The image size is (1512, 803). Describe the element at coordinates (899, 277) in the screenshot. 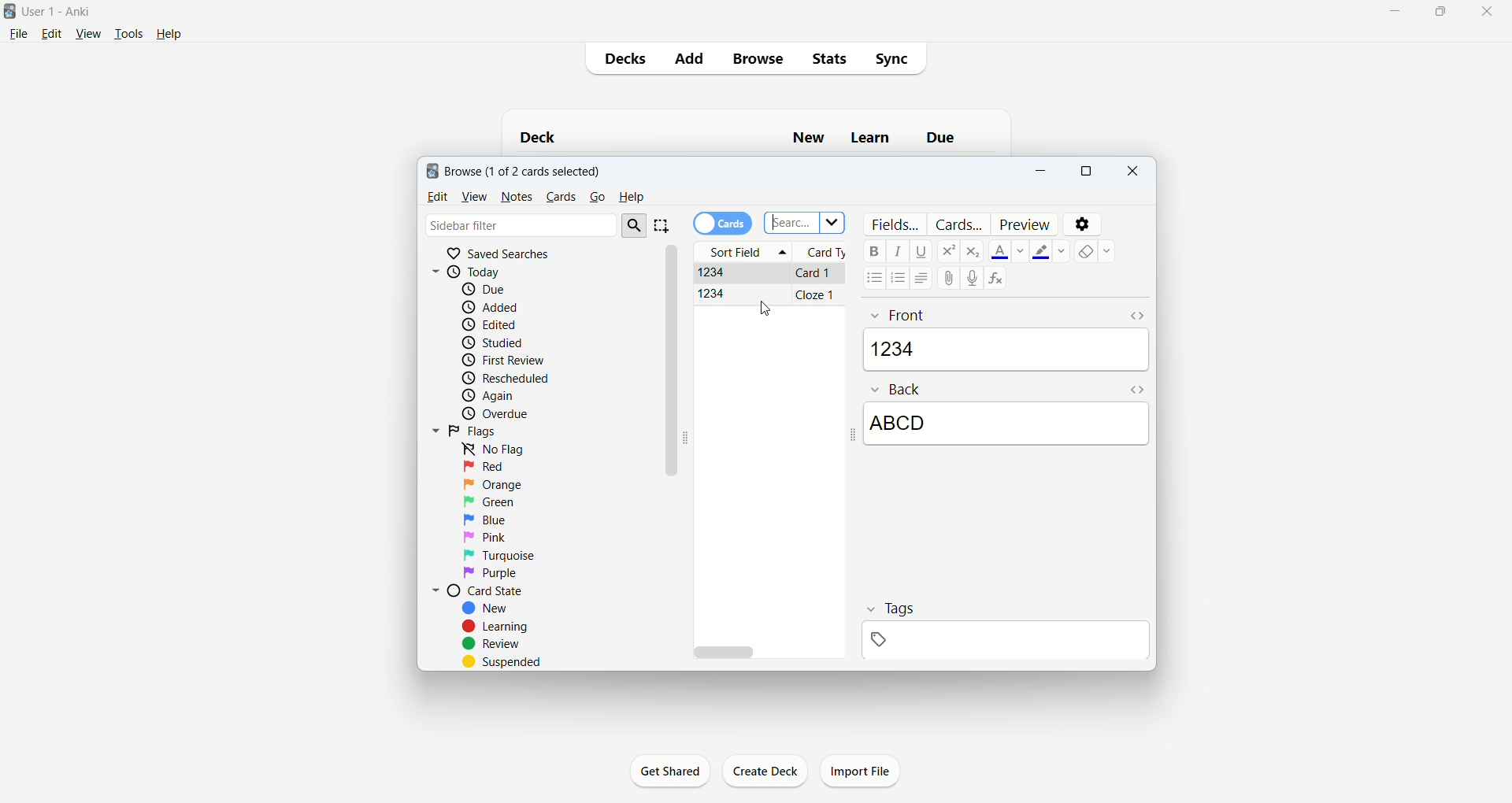

I see `ordered list` at that location.